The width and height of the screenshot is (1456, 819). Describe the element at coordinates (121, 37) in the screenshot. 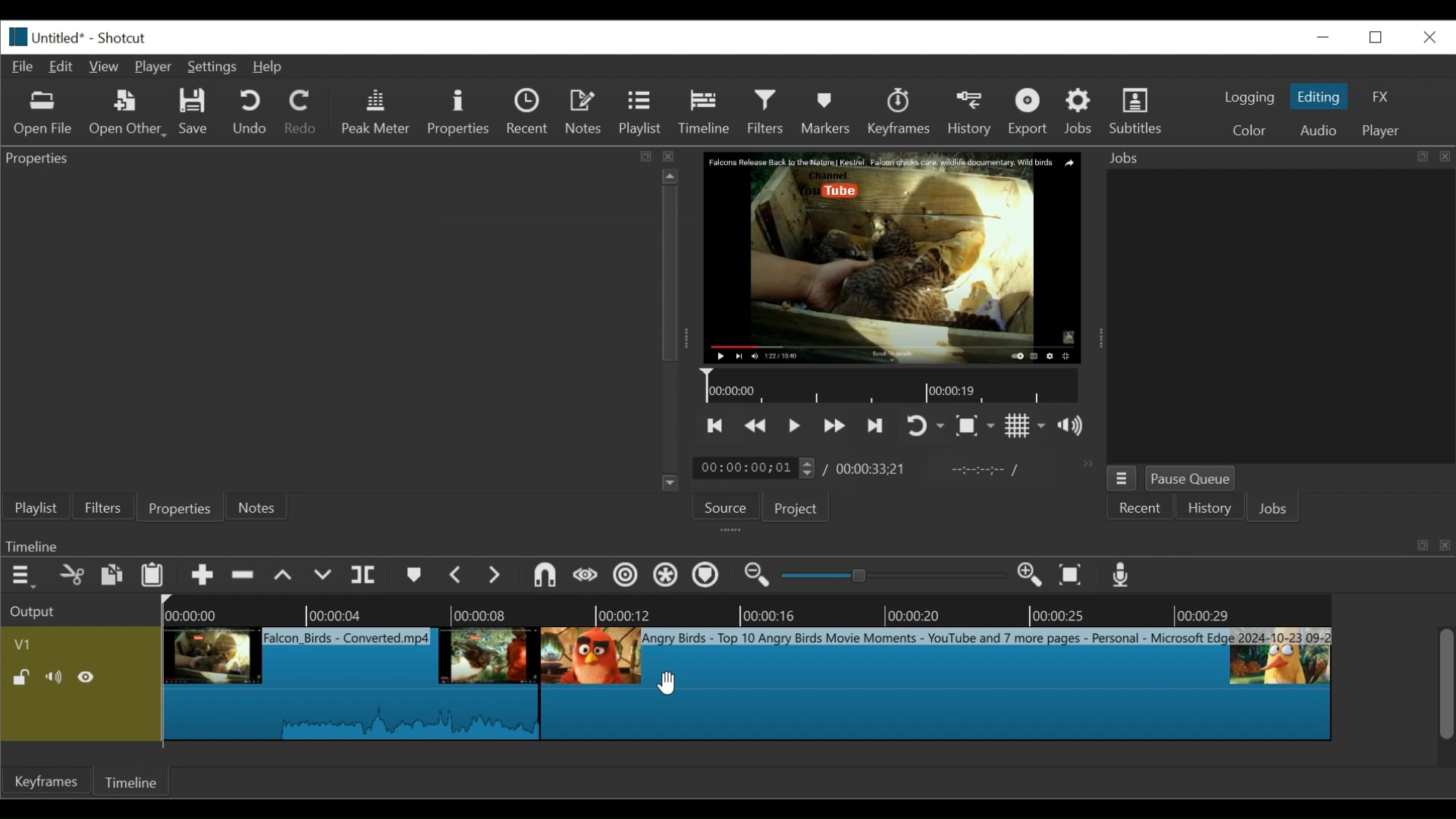

I see `Shotcut` at that location.